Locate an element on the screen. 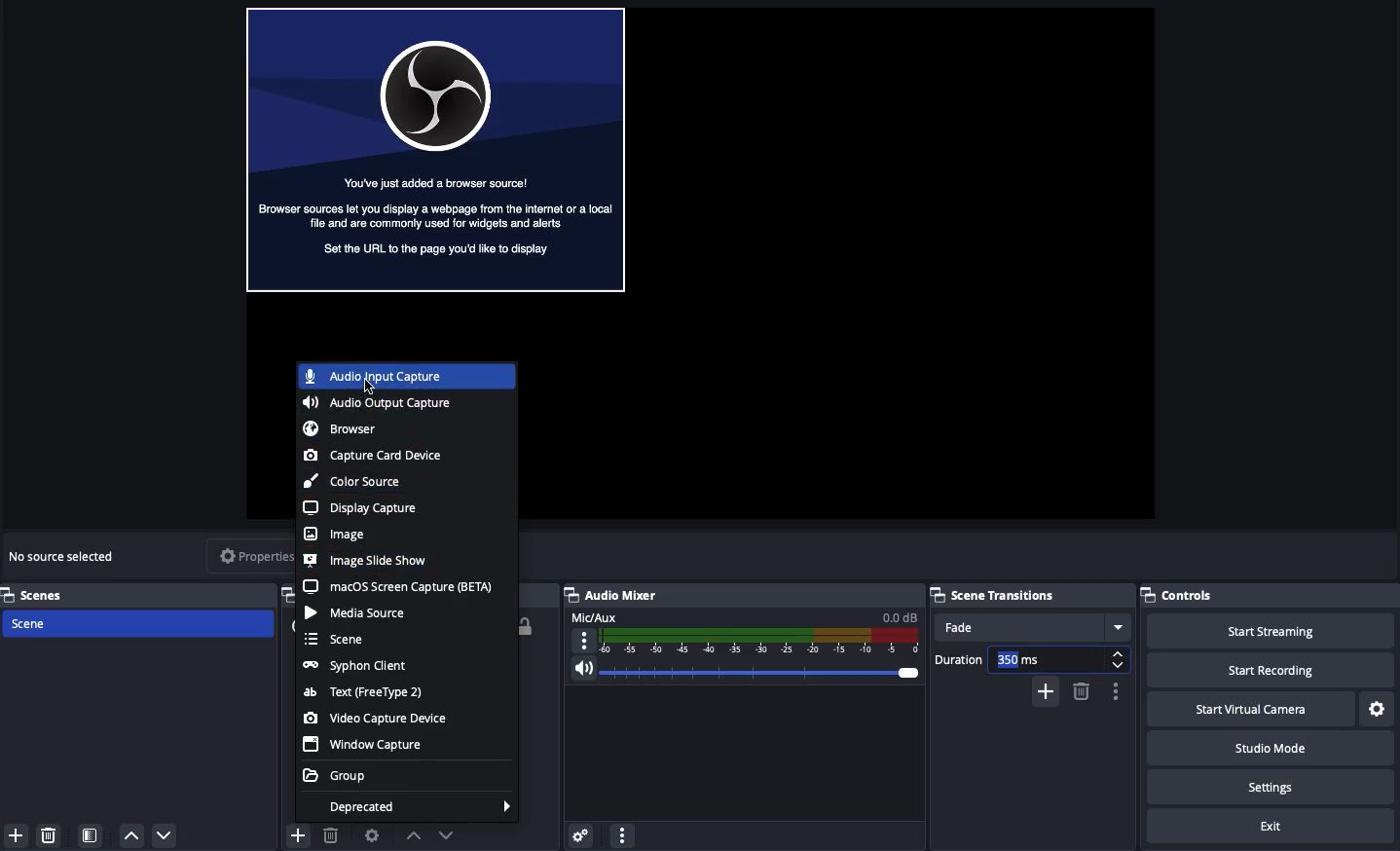 Image resolution: width=1400 pixels, height=851 pixels. Scene is located at coordinates (342, 639).